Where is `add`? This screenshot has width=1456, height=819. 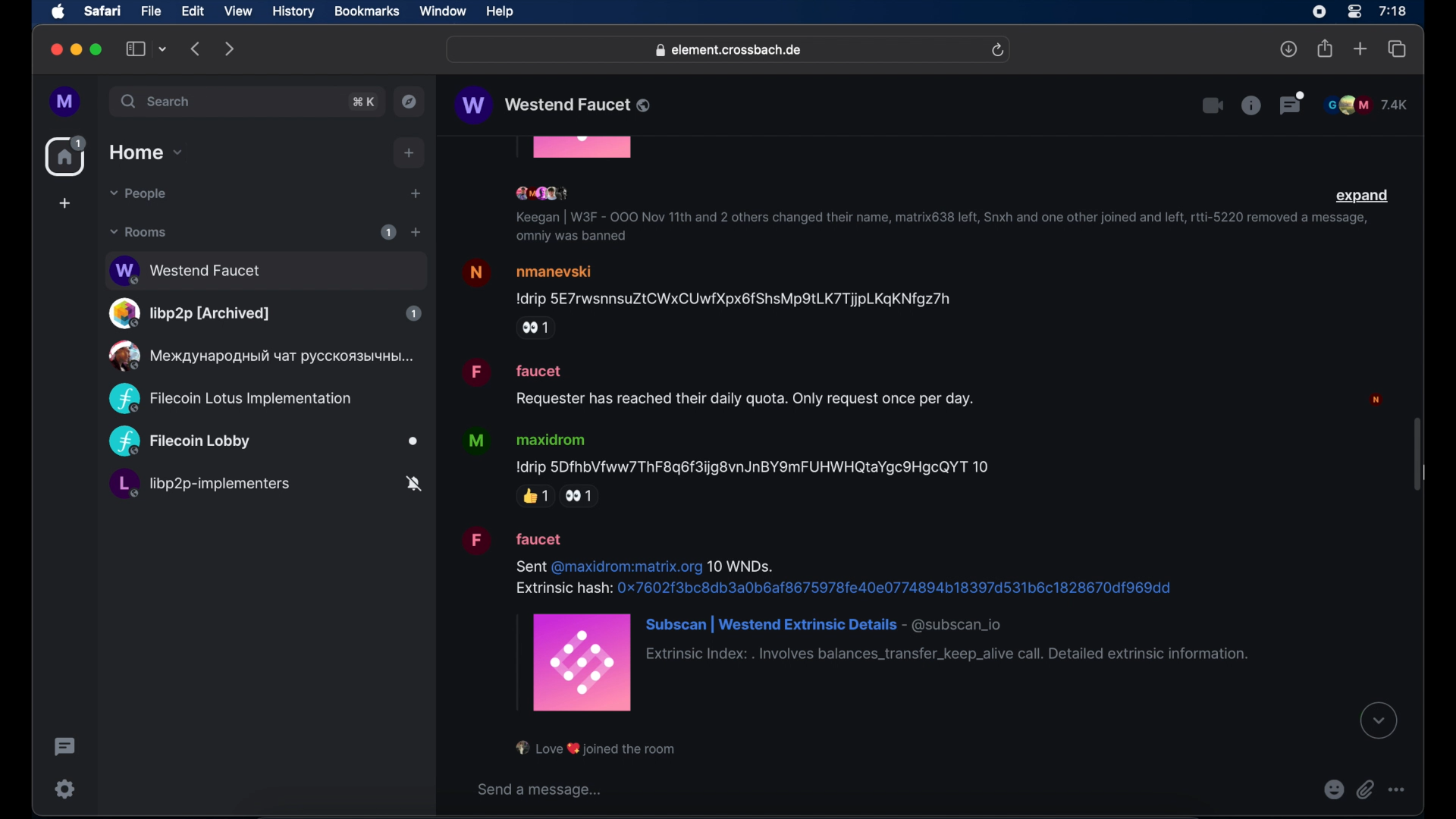 add is located at coordinates (409, 153).